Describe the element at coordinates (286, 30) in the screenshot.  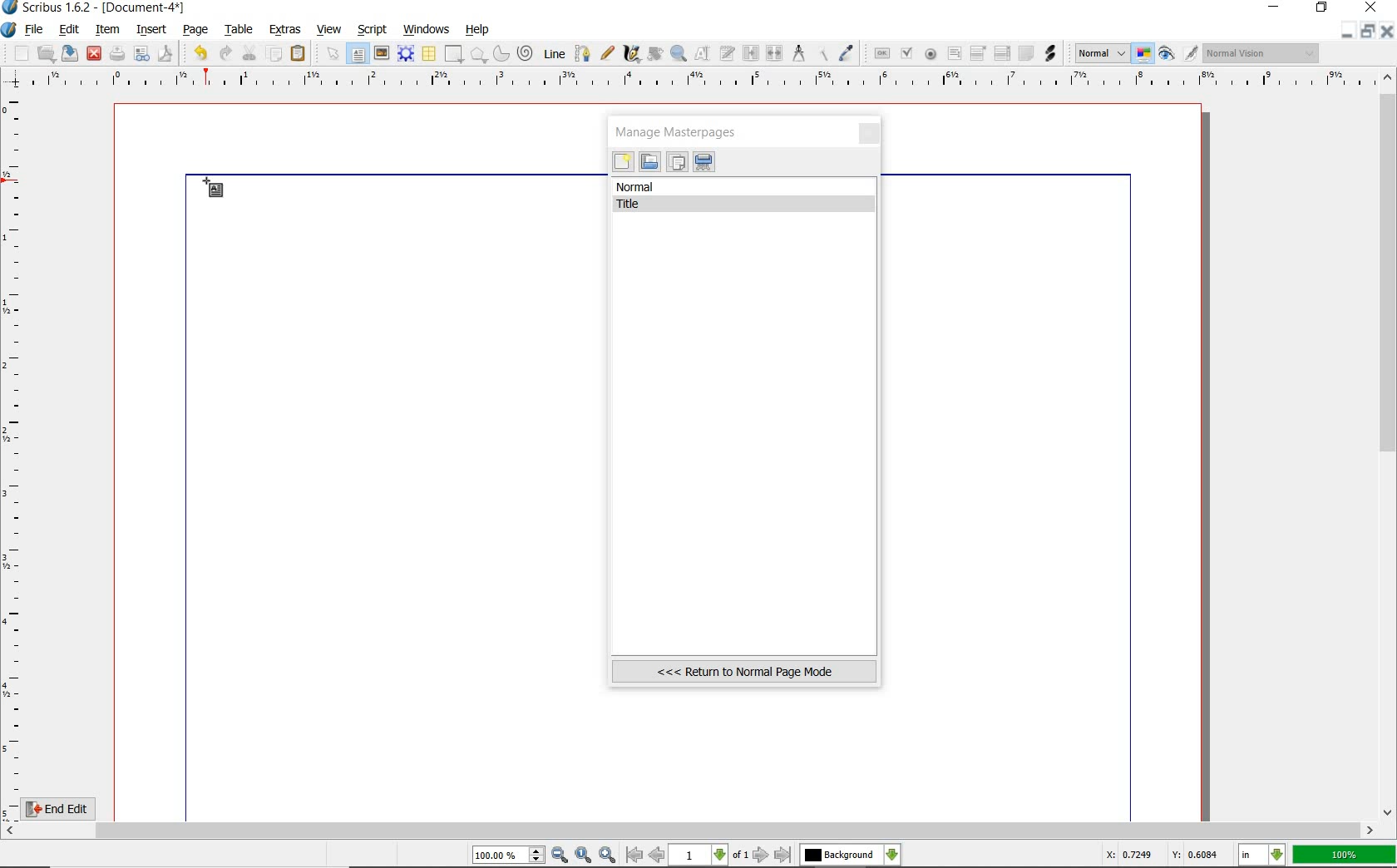
I see `extras` at that location.